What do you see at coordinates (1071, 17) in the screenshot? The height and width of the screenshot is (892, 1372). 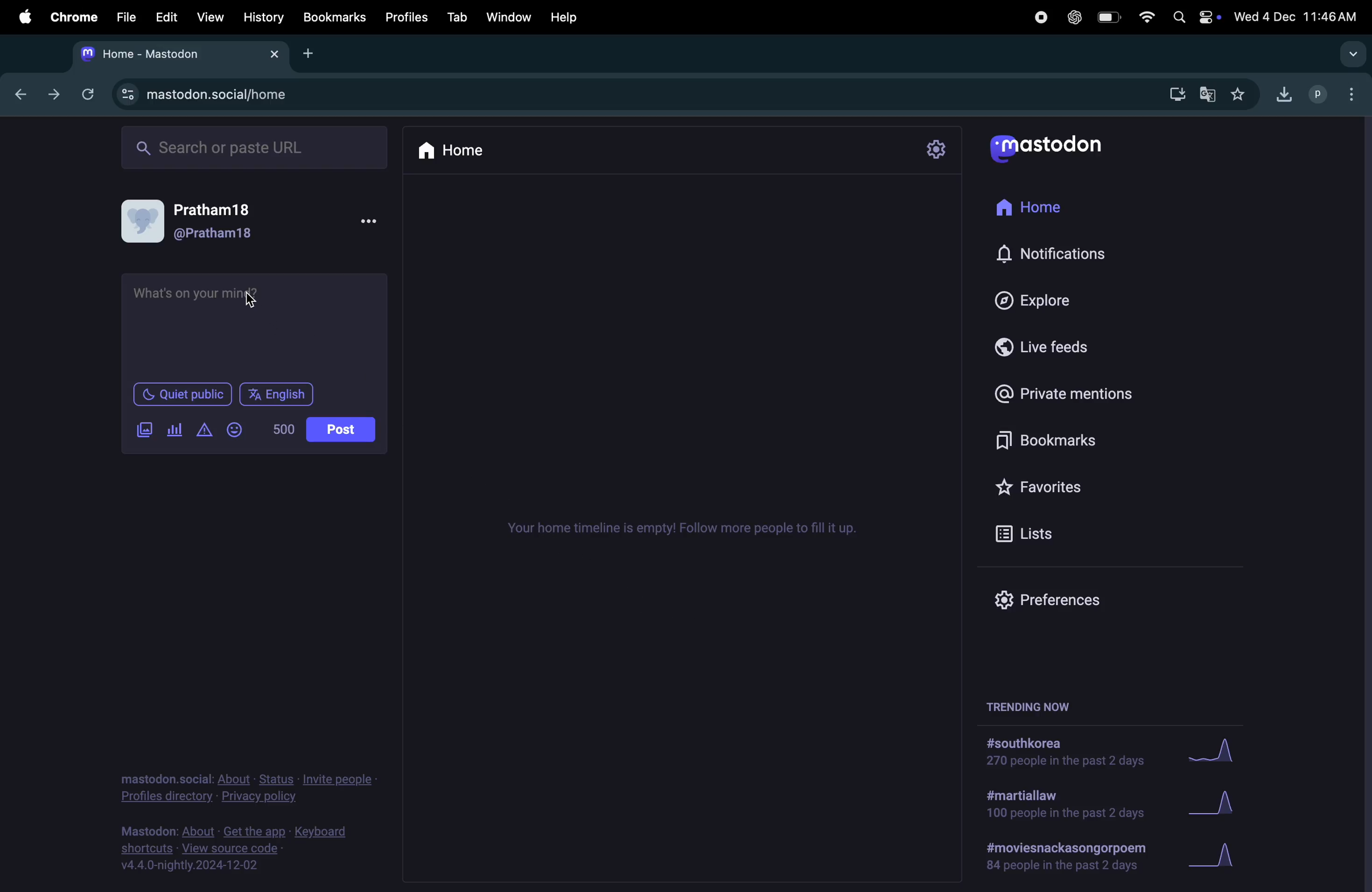 I see `Chatgpt` at bounding box center [1071, 17].